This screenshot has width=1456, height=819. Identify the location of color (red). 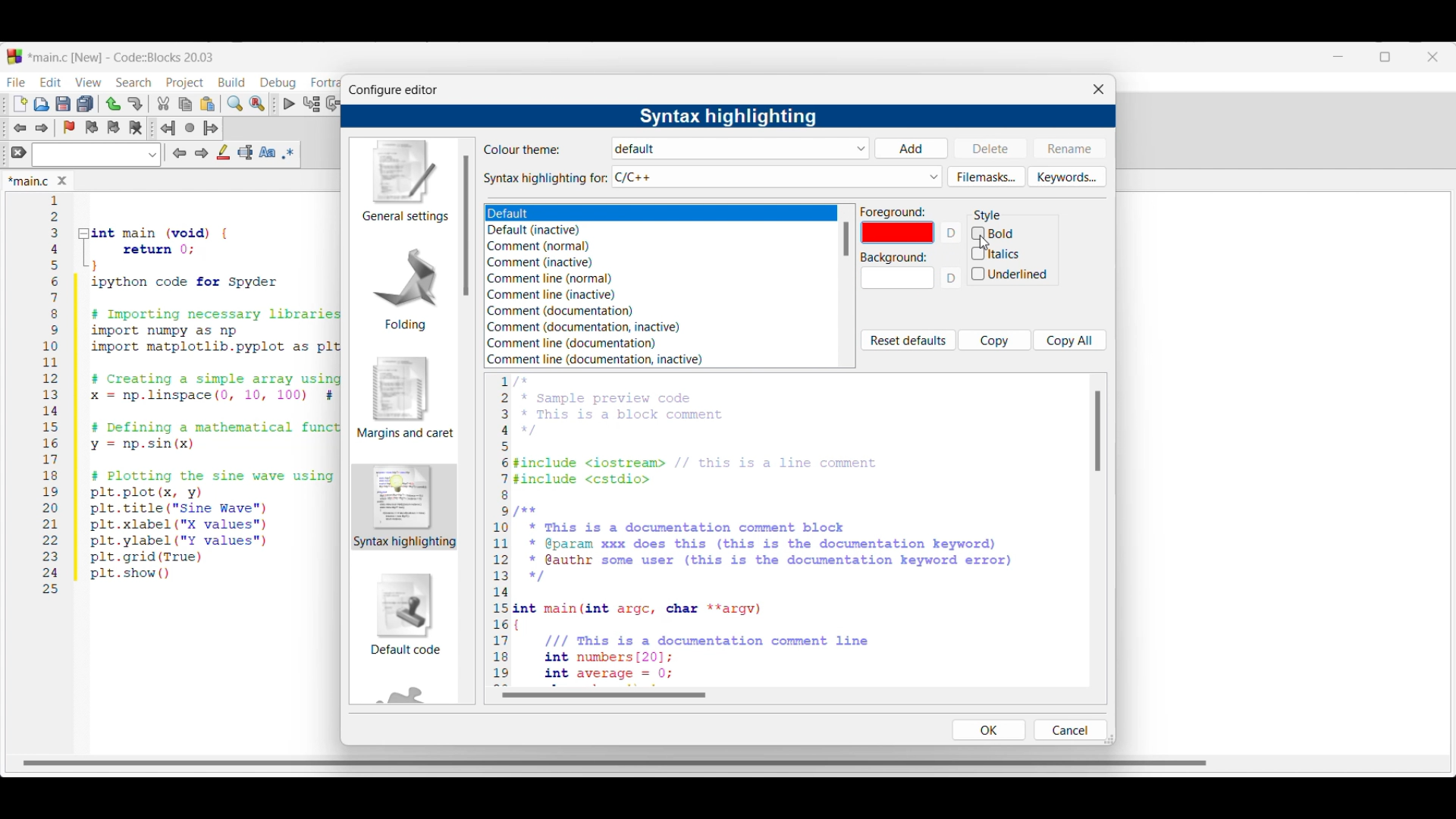
(901, 234).